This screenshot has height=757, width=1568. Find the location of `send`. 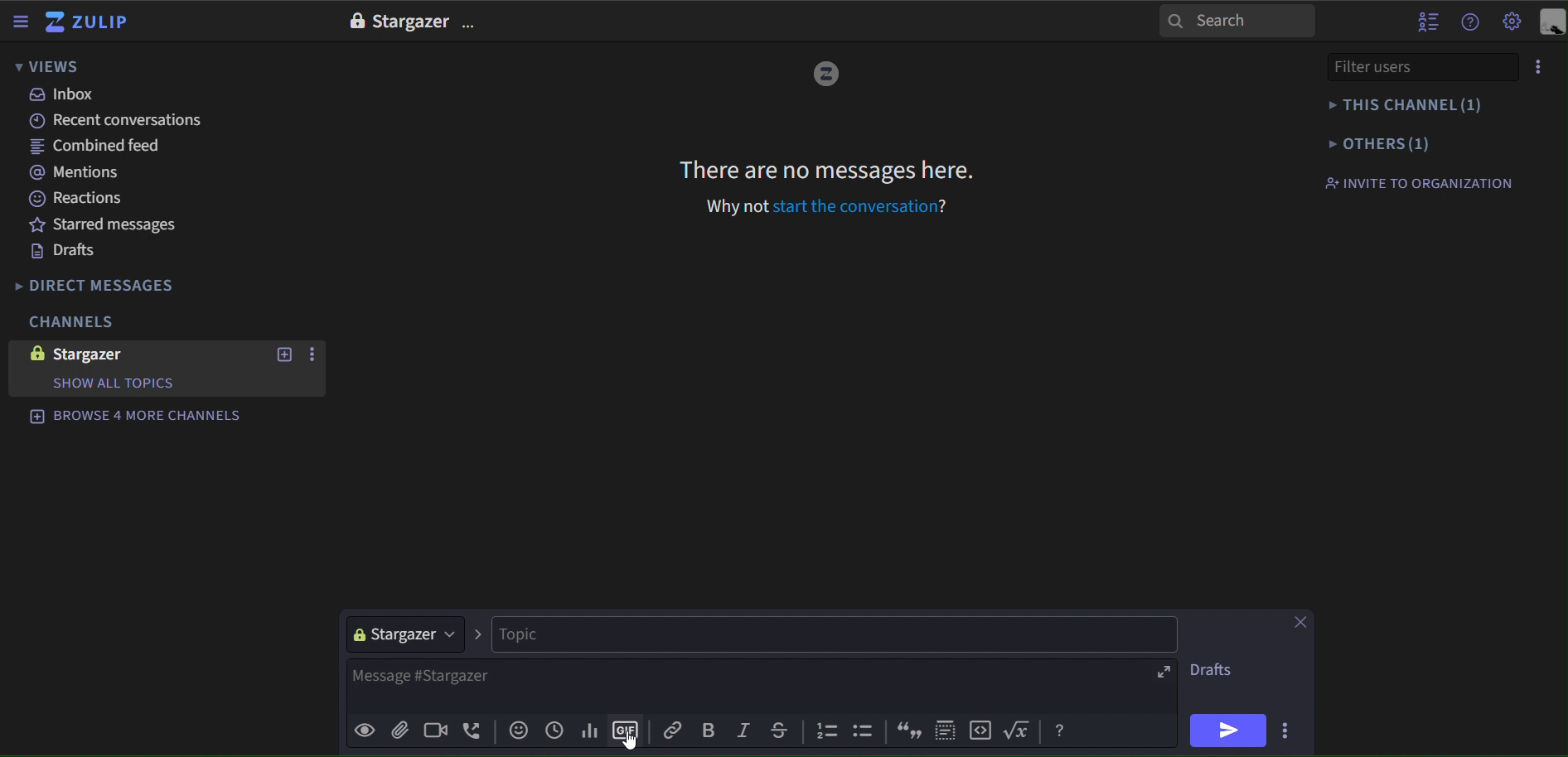

send is located at coordinates (1228, 730).